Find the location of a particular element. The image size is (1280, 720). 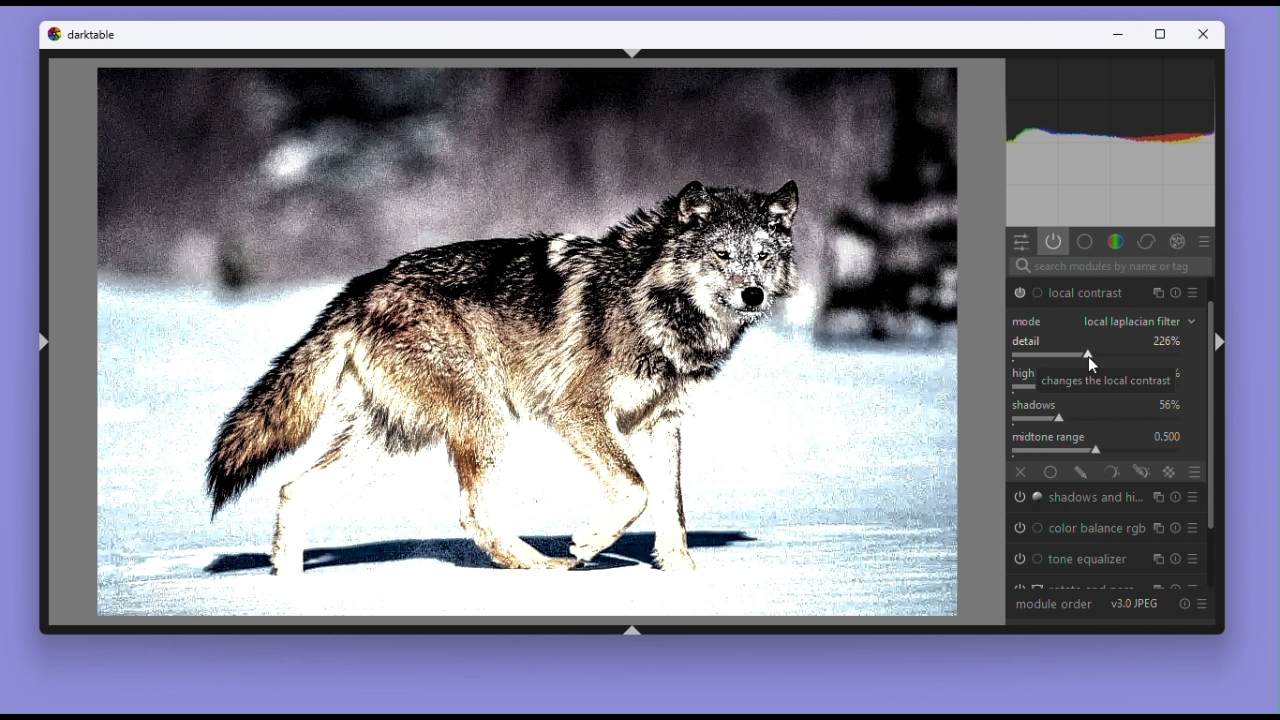

Correct is located at coordinates (1145, 241).